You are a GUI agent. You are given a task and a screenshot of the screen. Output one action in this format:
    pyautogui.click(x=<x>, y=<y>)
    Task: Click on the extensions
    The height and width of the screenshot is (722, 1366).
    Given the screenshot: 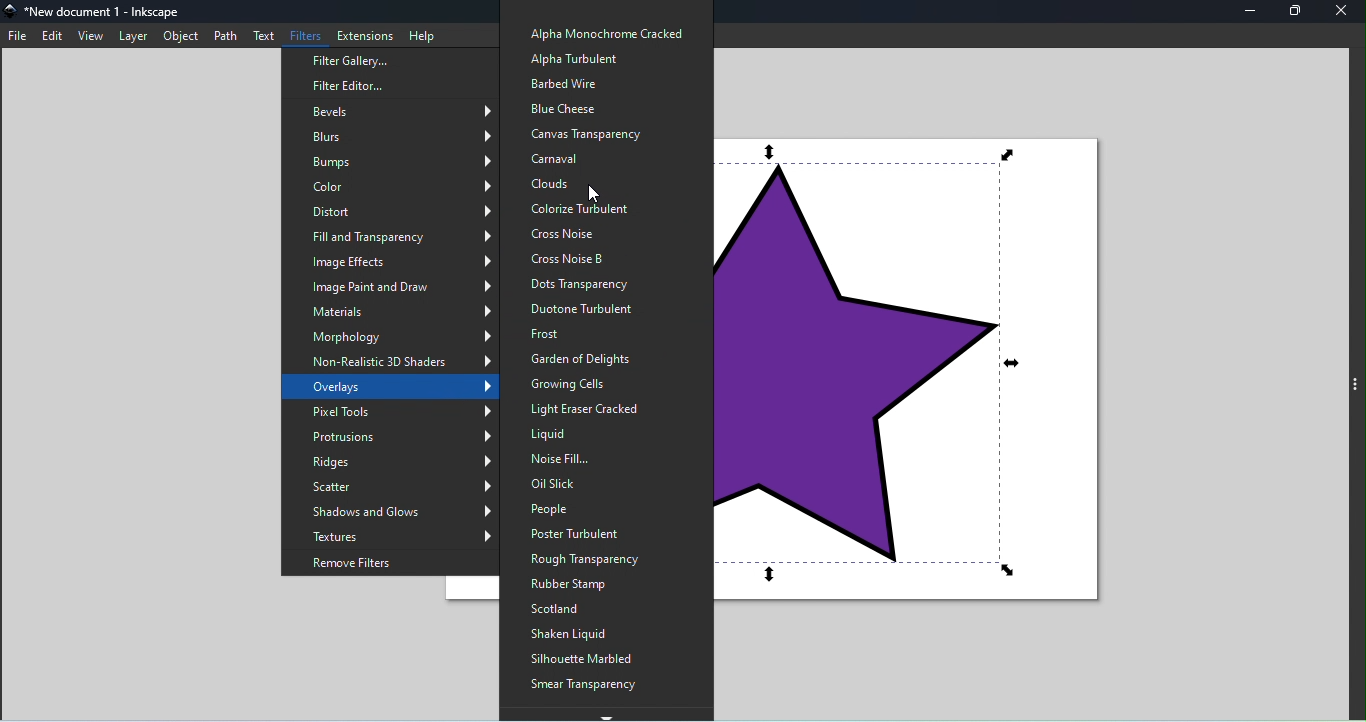 What is the action you would take?
    pyautogui.click(x=364, y=32)
    